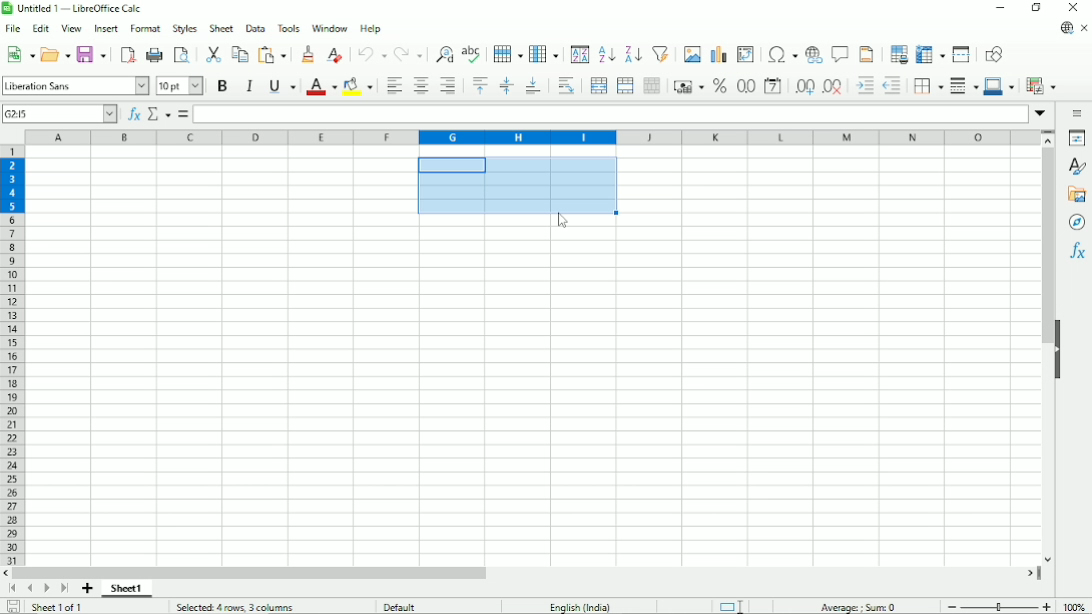  I want to click on Insert image, so click(691, 53).